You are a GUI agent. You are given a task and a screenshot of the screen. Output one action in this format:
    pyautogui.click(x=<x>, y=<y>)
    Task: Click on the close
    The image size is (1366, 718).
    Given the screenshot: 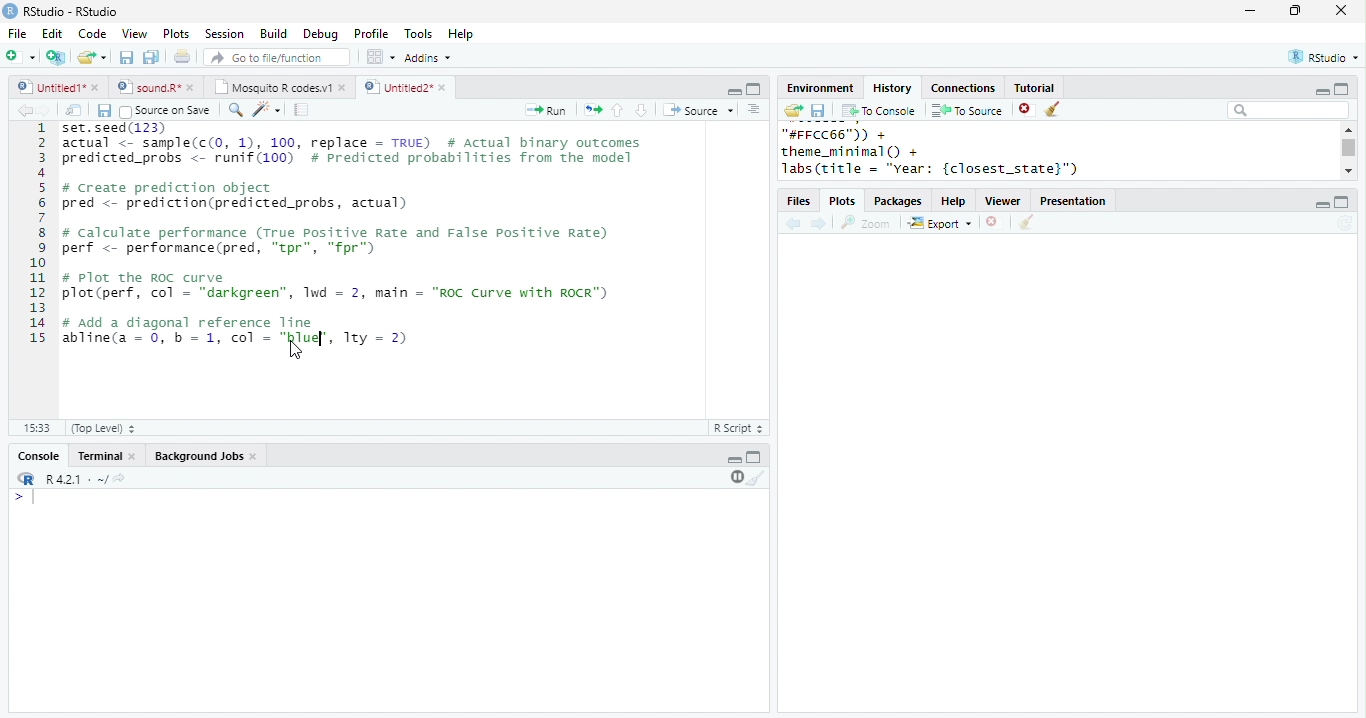 What is the action you would take?
    pyautogui.click(x=445, y=88)
    